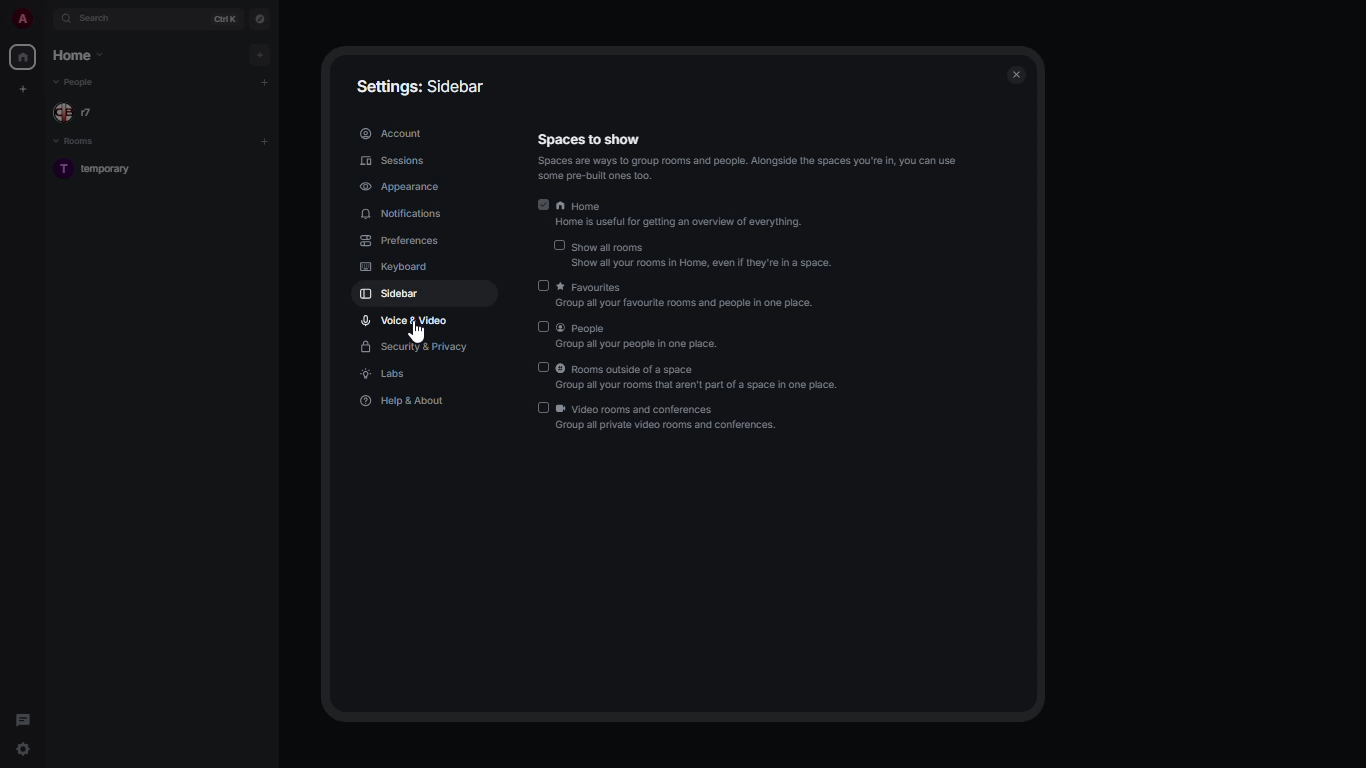 Image resolution: width=1366 pixels, height=768 pixels. I want to click on settings: sidebar, so click(420, 84).